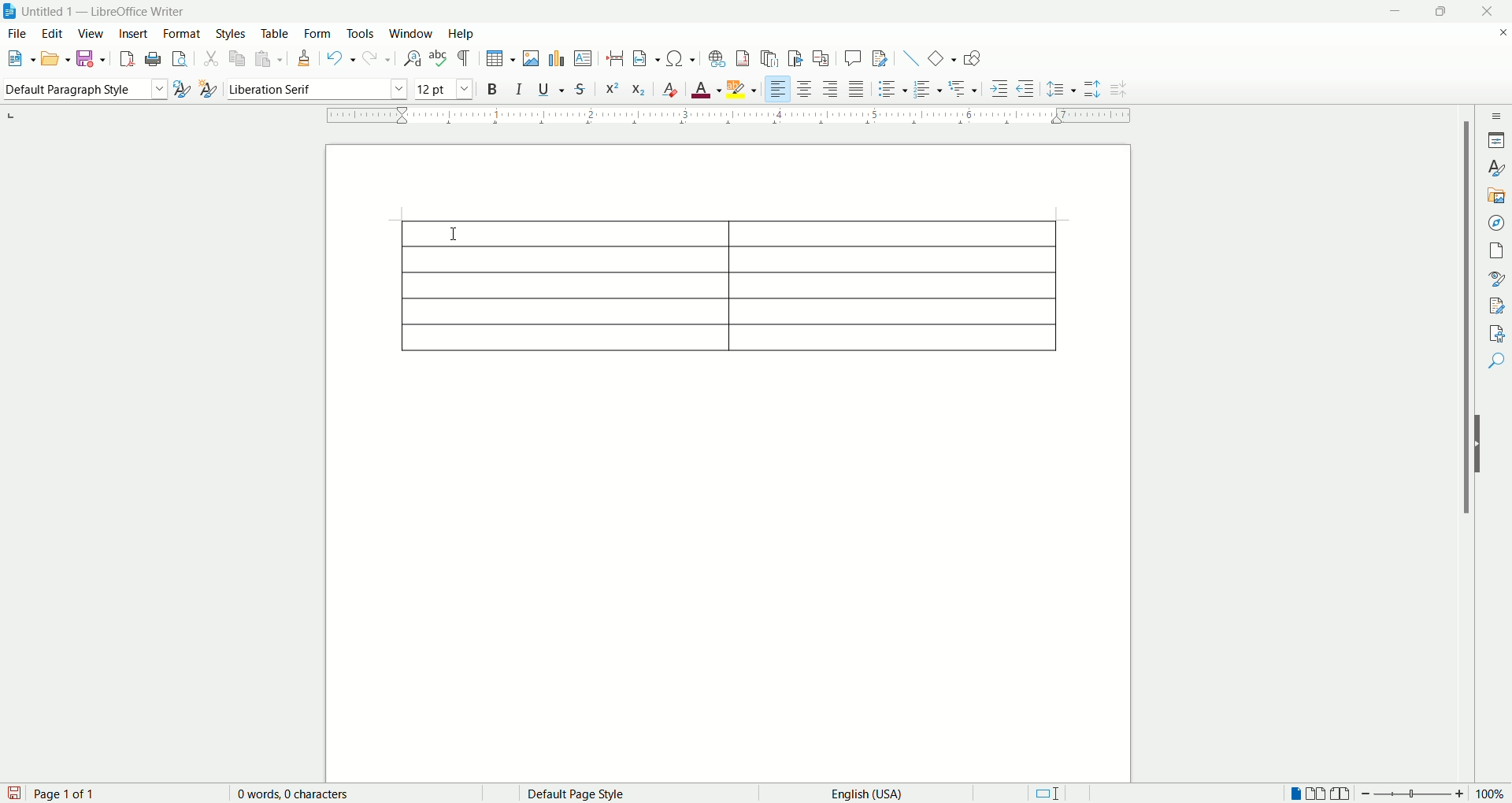 The image size is (1512, 803). Describe the element at coordinates (743, 89) in the screenshot. I see `character highlighting color` at that location.